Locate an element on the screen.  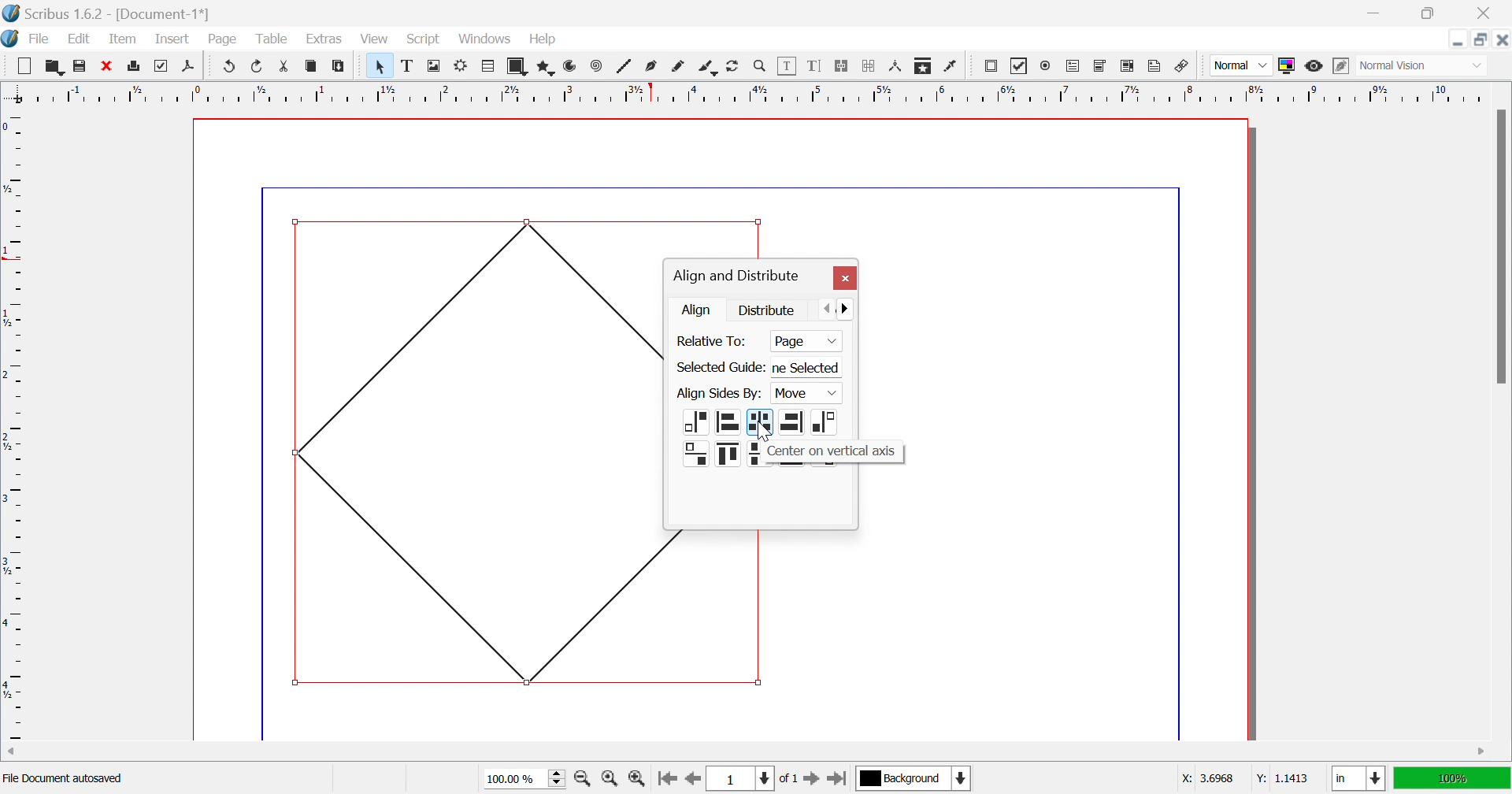
Edit text with story editor is located at coordinates (813, 65).